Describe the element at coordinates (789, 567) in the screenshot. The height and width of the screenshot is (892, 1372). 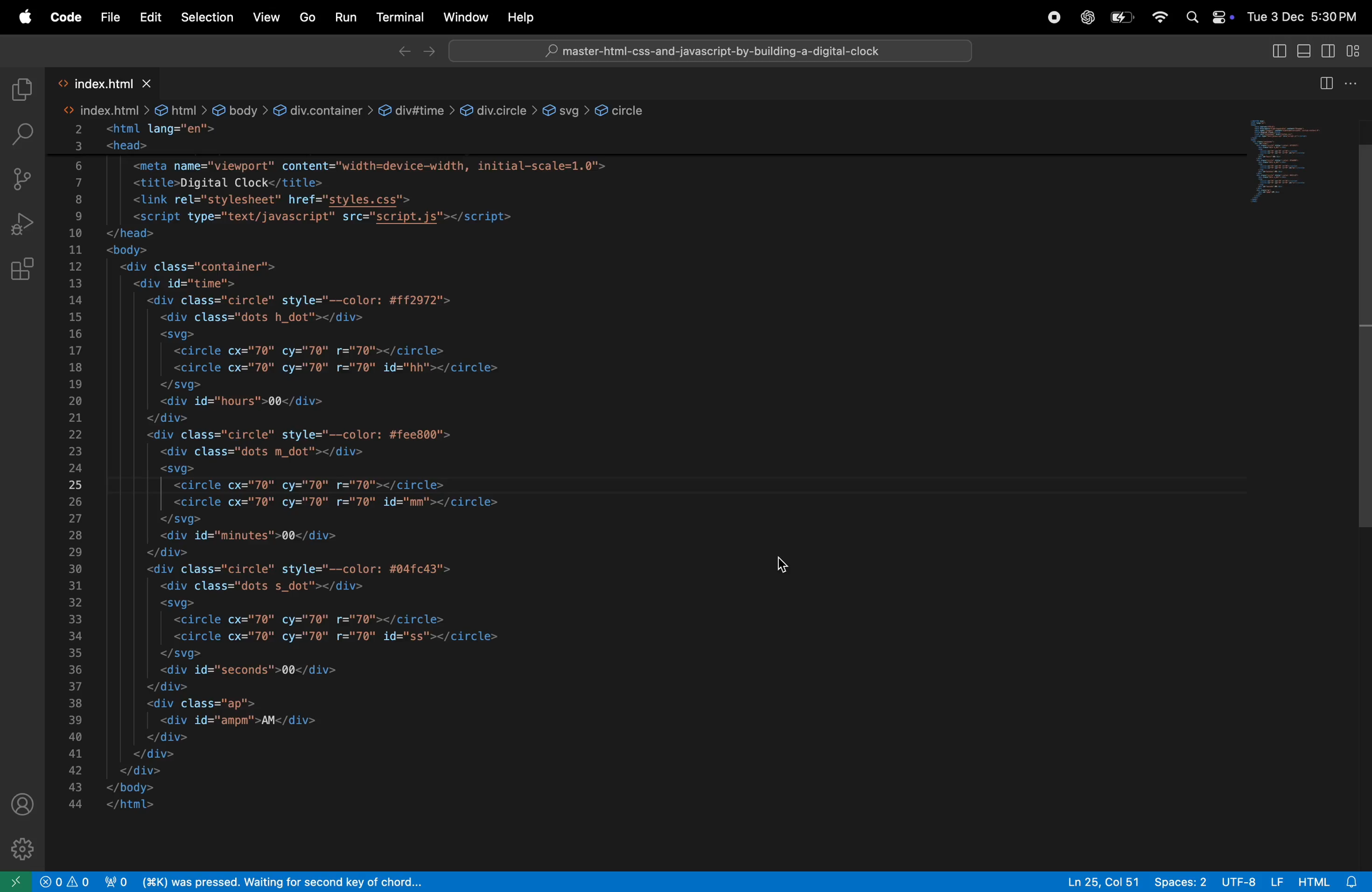
I see `Cursor` at that location.